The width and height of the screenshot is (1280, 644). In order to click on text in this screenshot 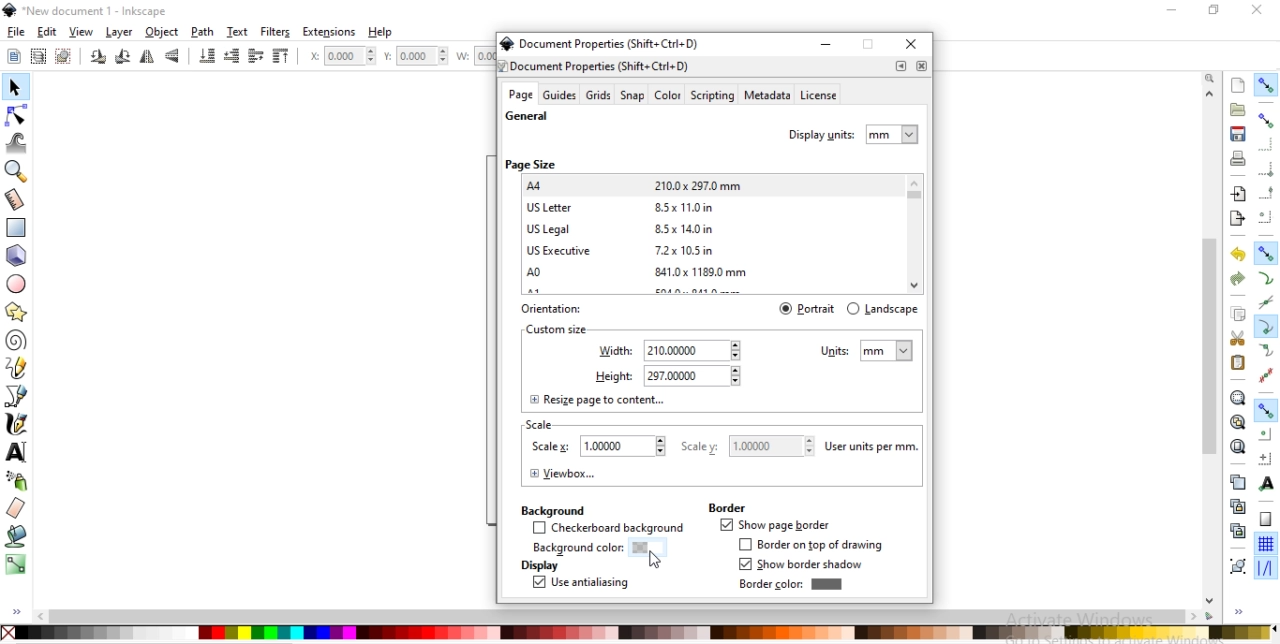, I will do `click(239, 32)`.